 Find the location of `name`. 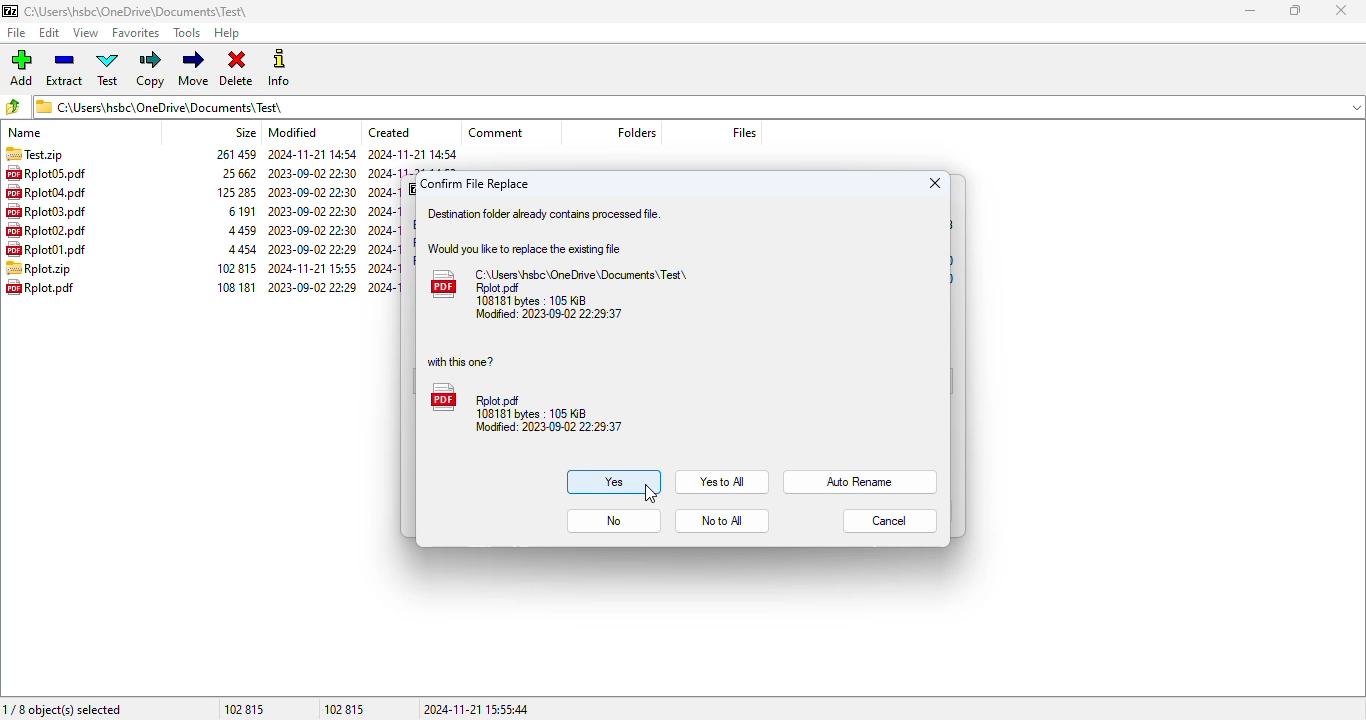

name is located at coordinates (27, 132).